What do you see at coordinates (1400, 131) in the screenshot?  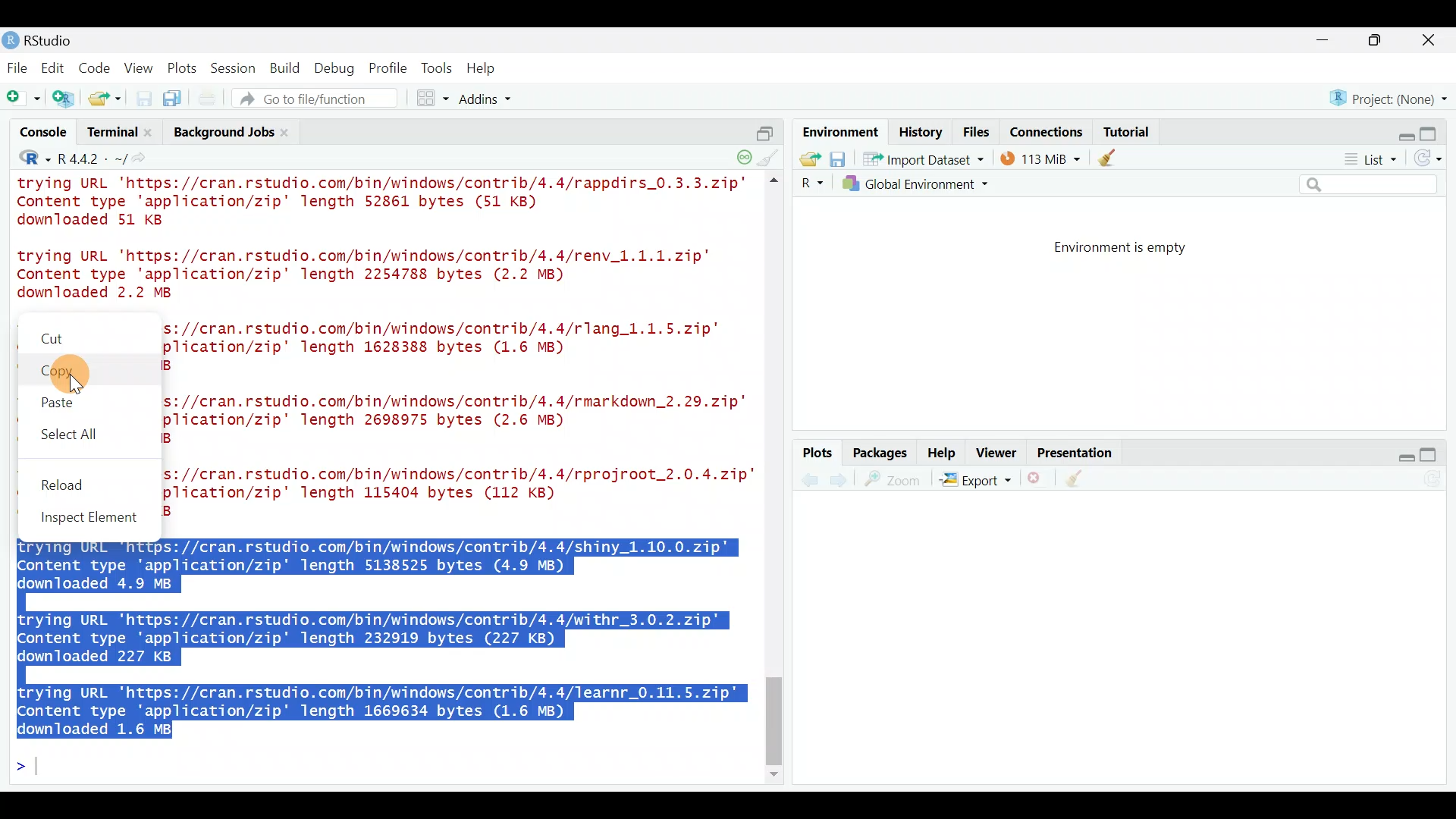 I see `Restore down` at bounding box center [1400, 131].